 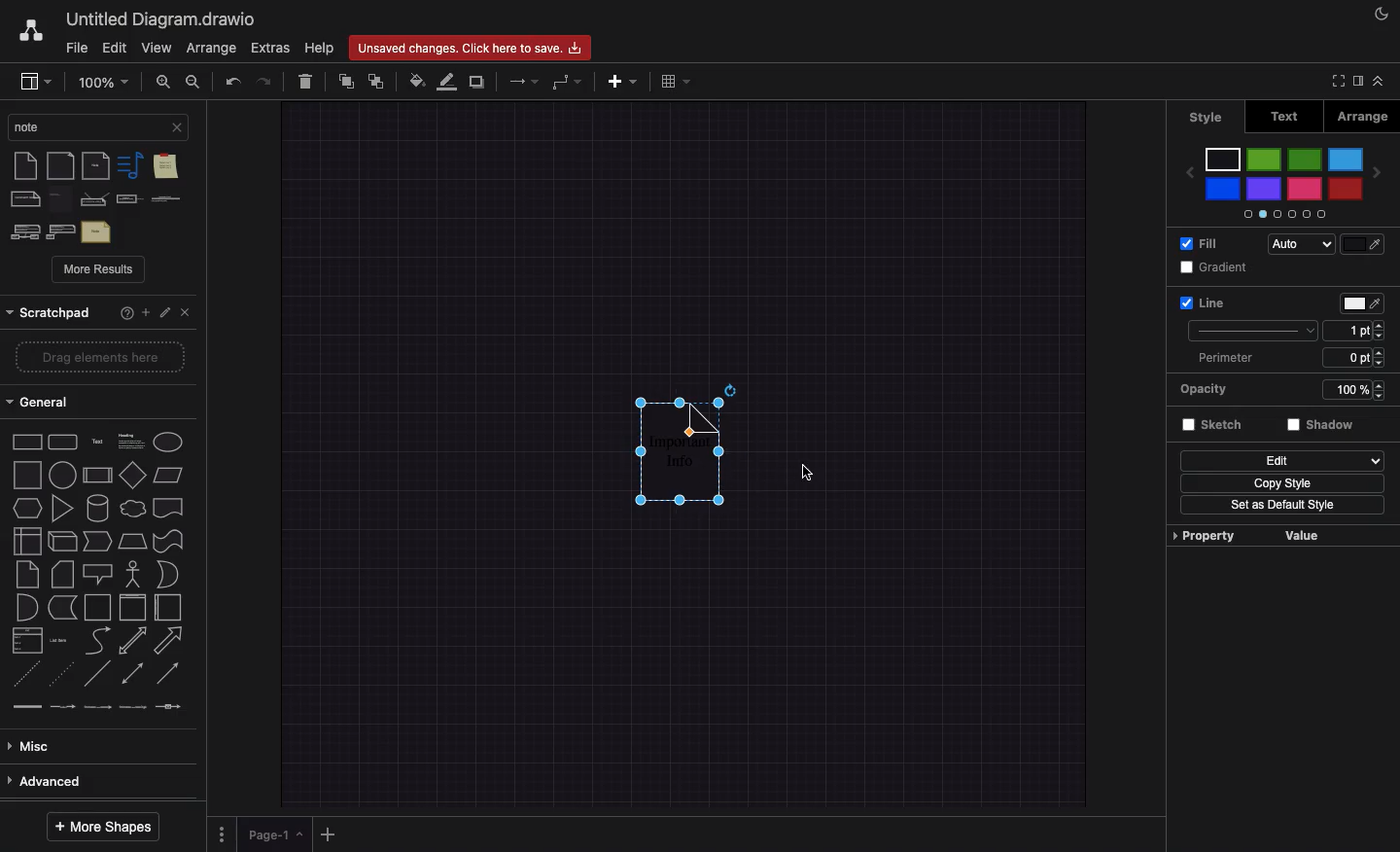 What do you see at coordinates (62, 542) in the screenshot?
I see `cube` at bounding box center [62, 542].